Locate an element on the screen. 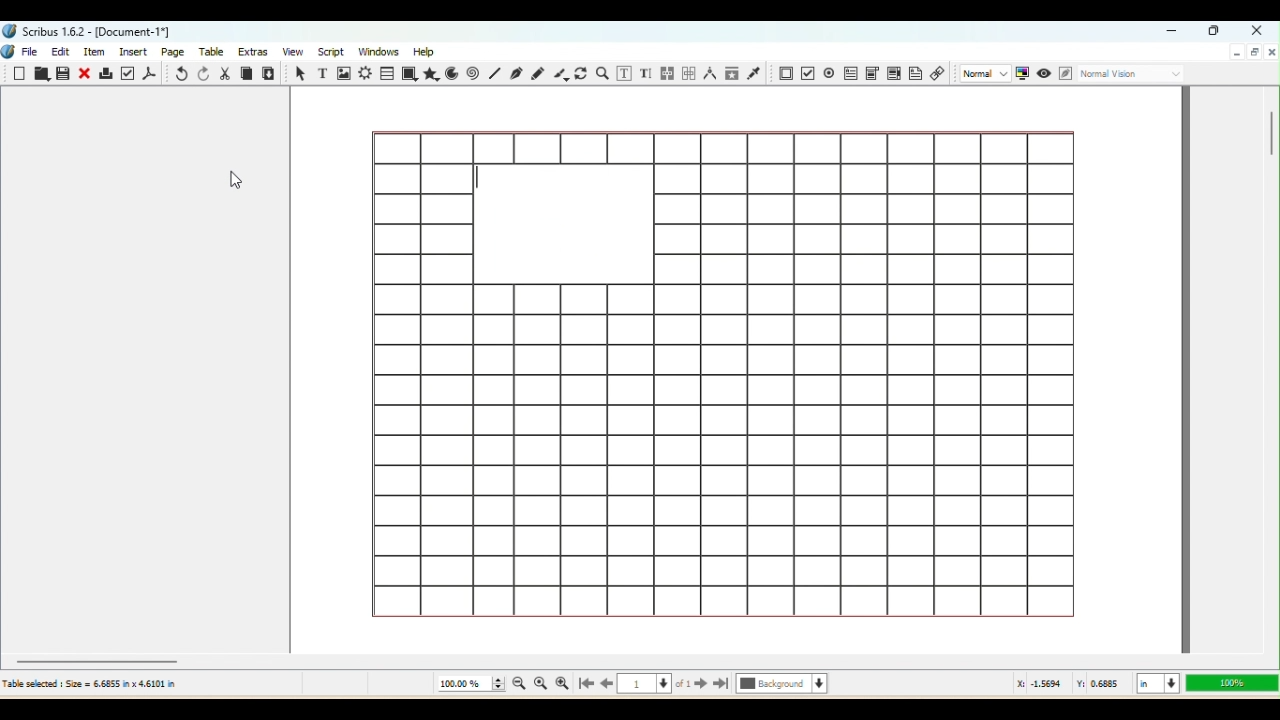  PDF Radio button is located at coordinates (807, 73).